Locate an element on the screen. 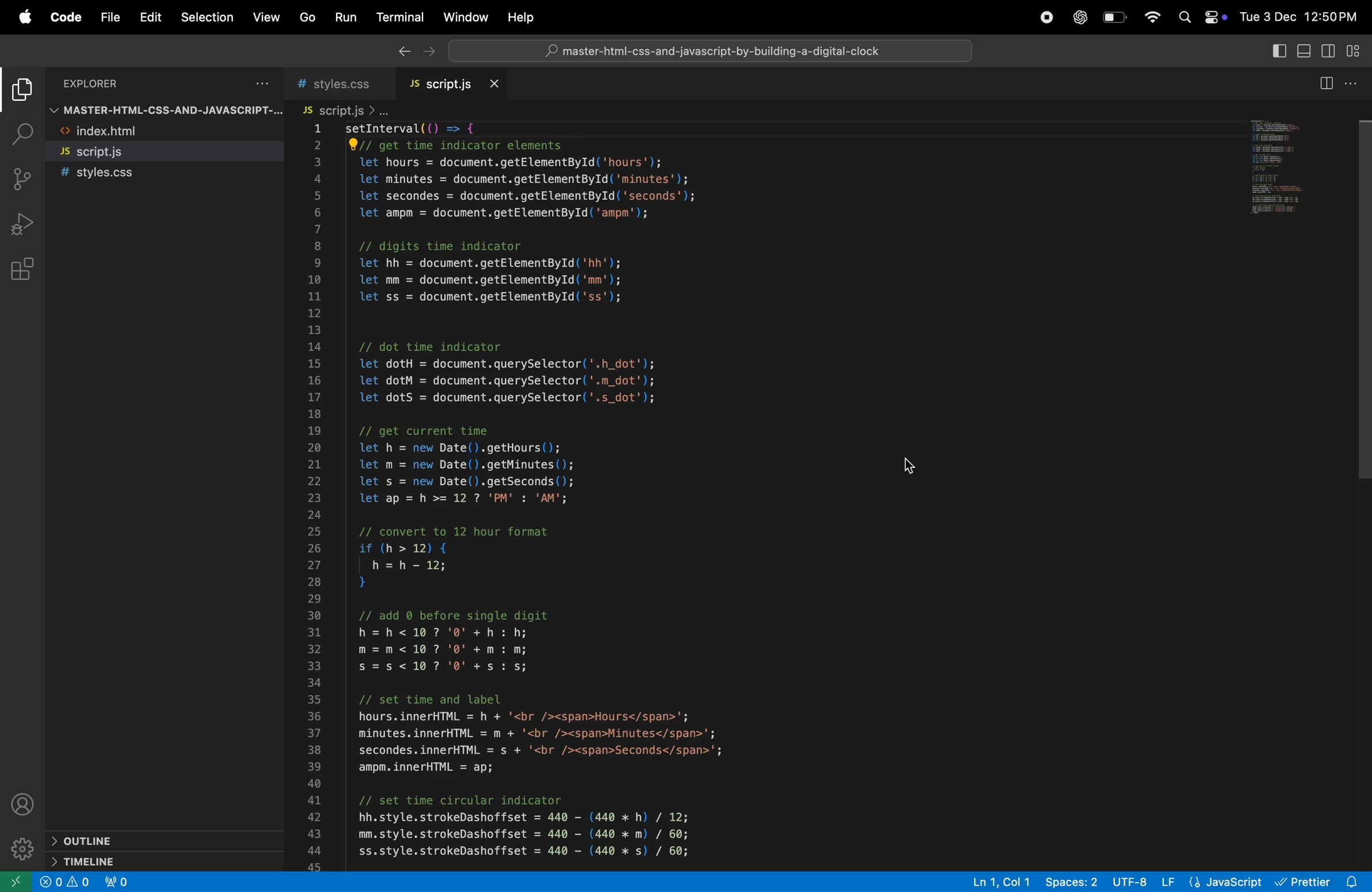 This screenshot has height=892, width=1372. ln 1 col 1 is located at coordinates (995, 883).